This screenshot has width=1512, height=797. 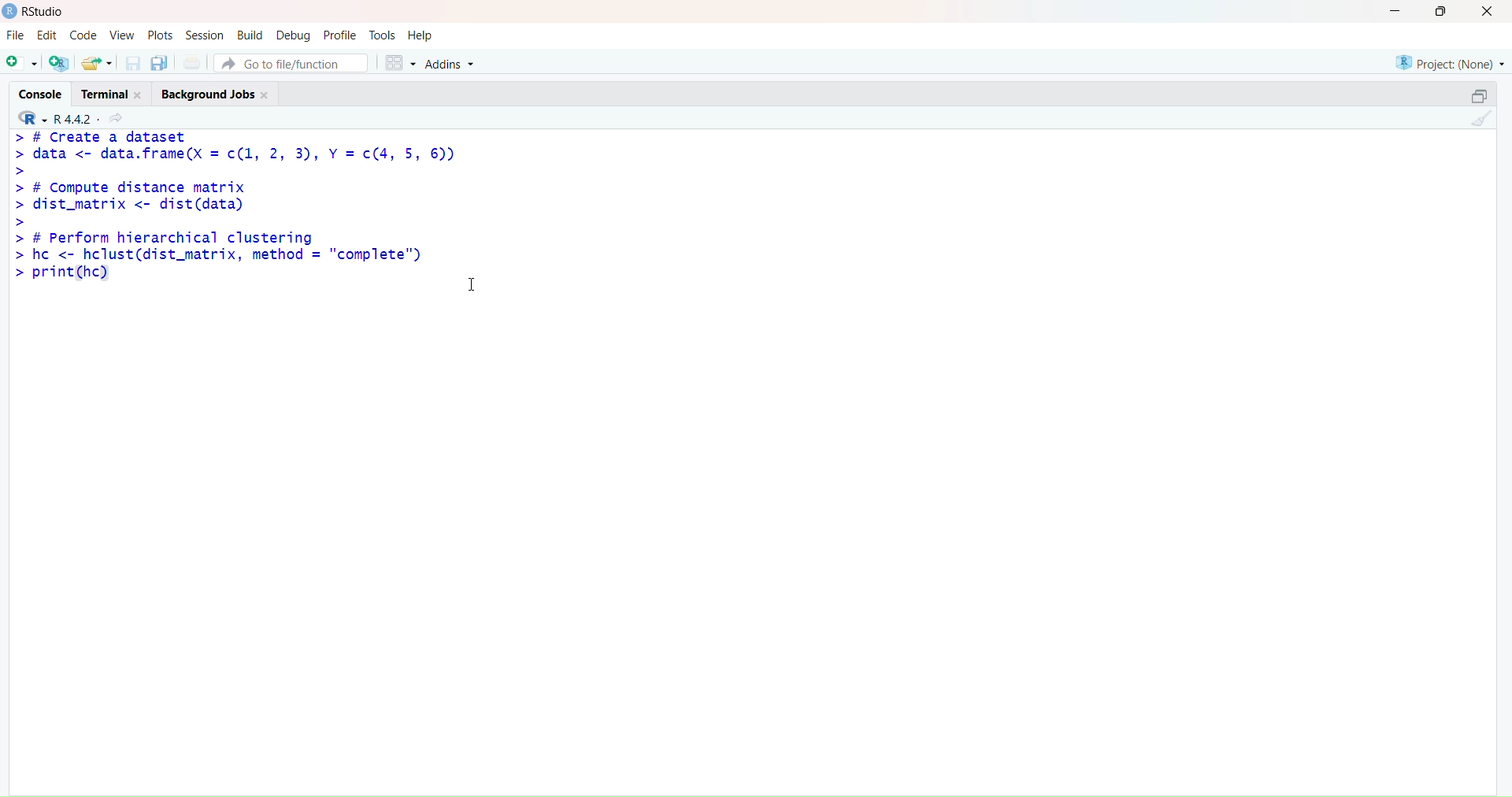 What do you see at coordinates (84, 36) in the screenshot?
I see `Code` at bounding box center [84, 36].